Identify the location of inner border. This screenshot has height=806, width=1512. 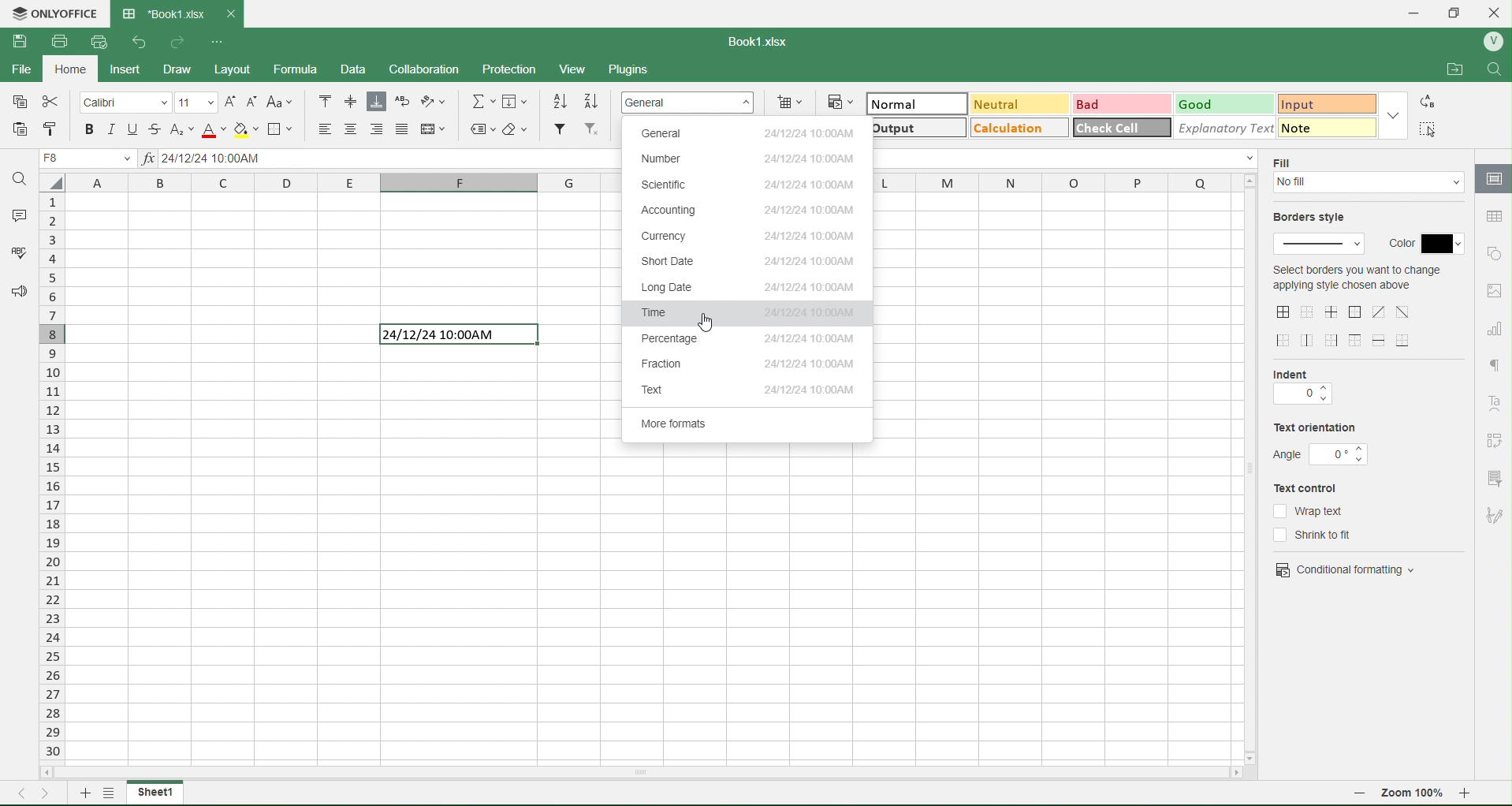
(1333, 312).